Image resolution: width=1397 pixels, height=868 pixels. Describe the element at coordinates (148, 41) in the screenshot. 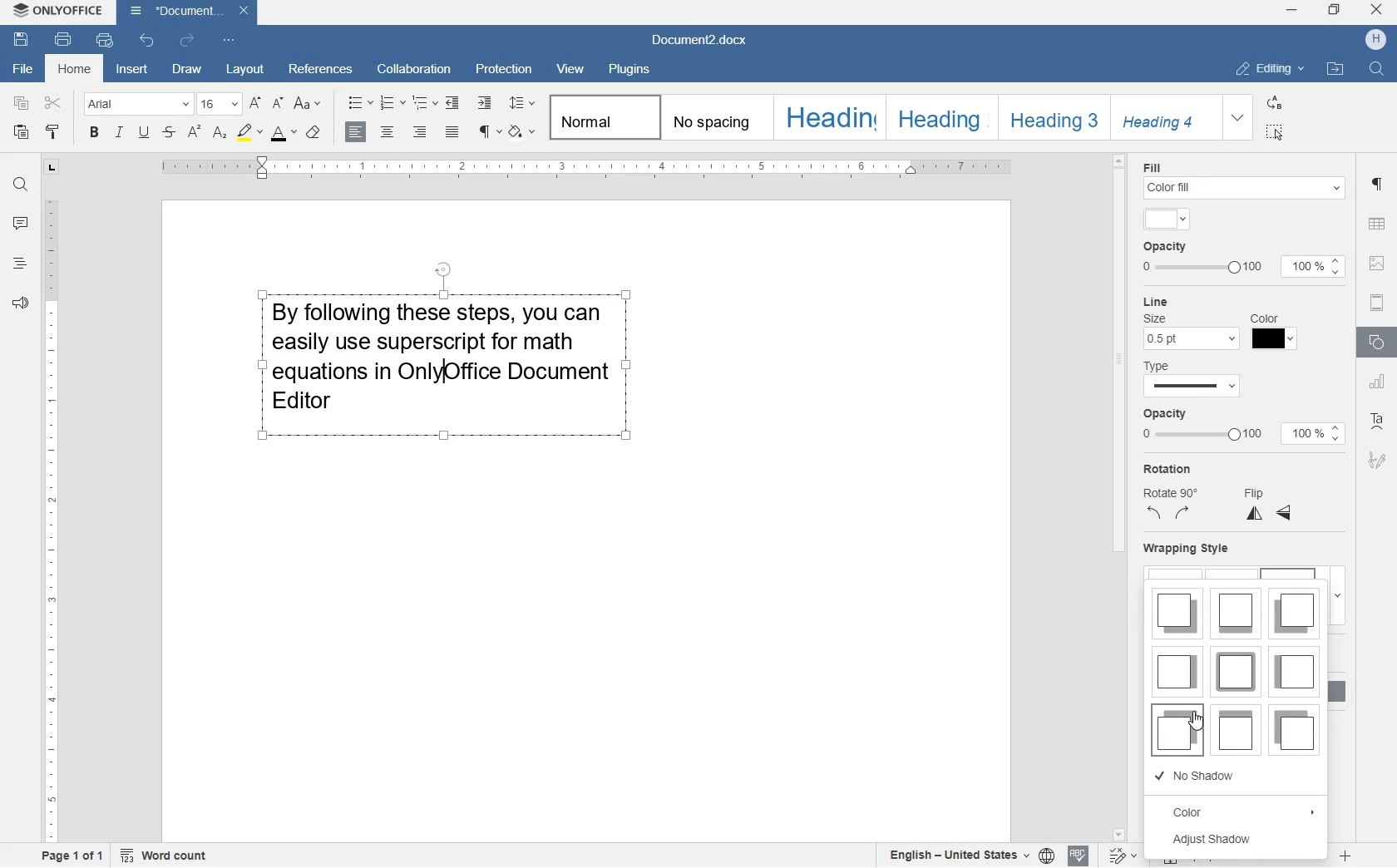

I see `undo` at that location.